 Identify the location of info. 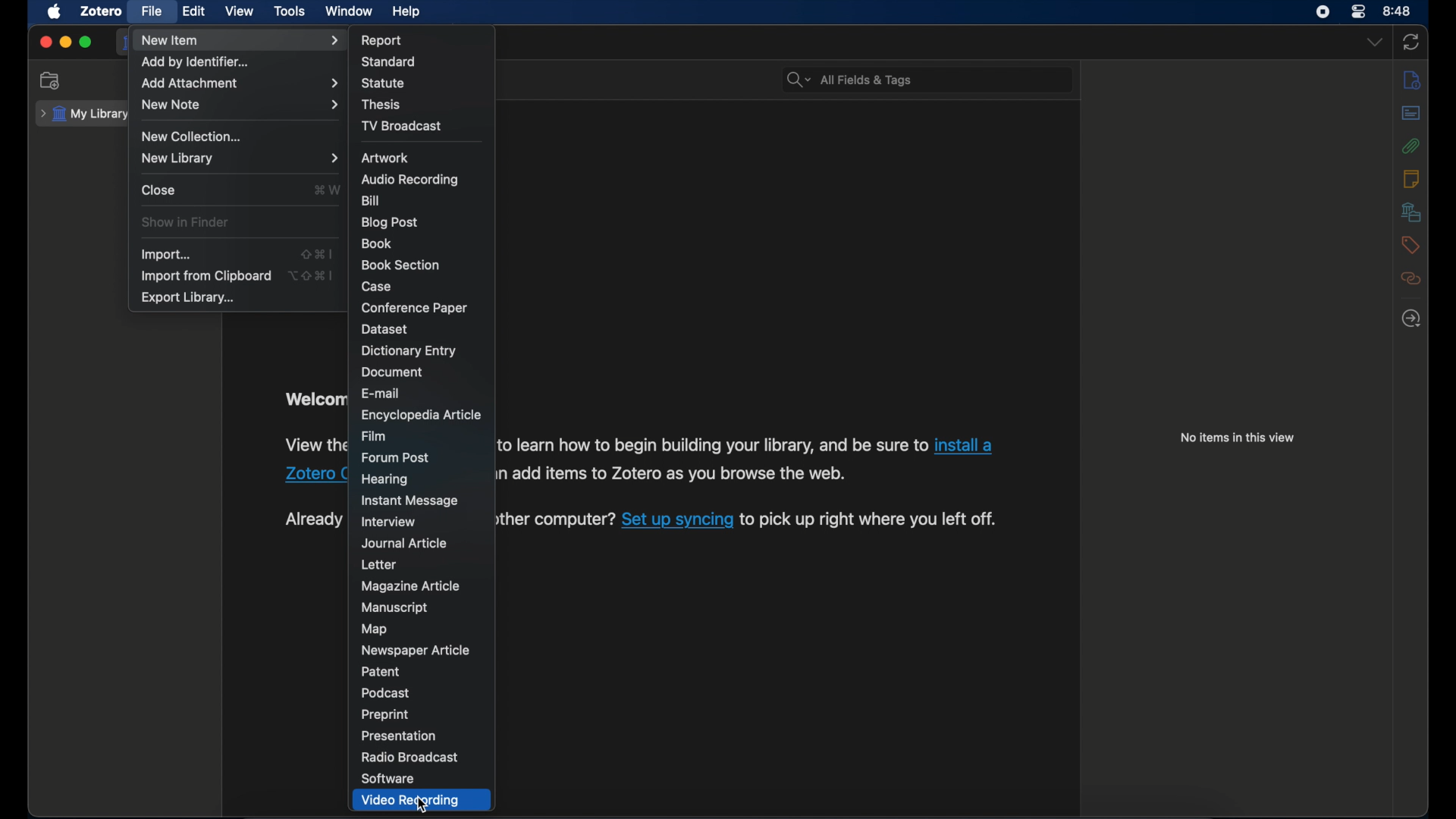
(1414, 81).